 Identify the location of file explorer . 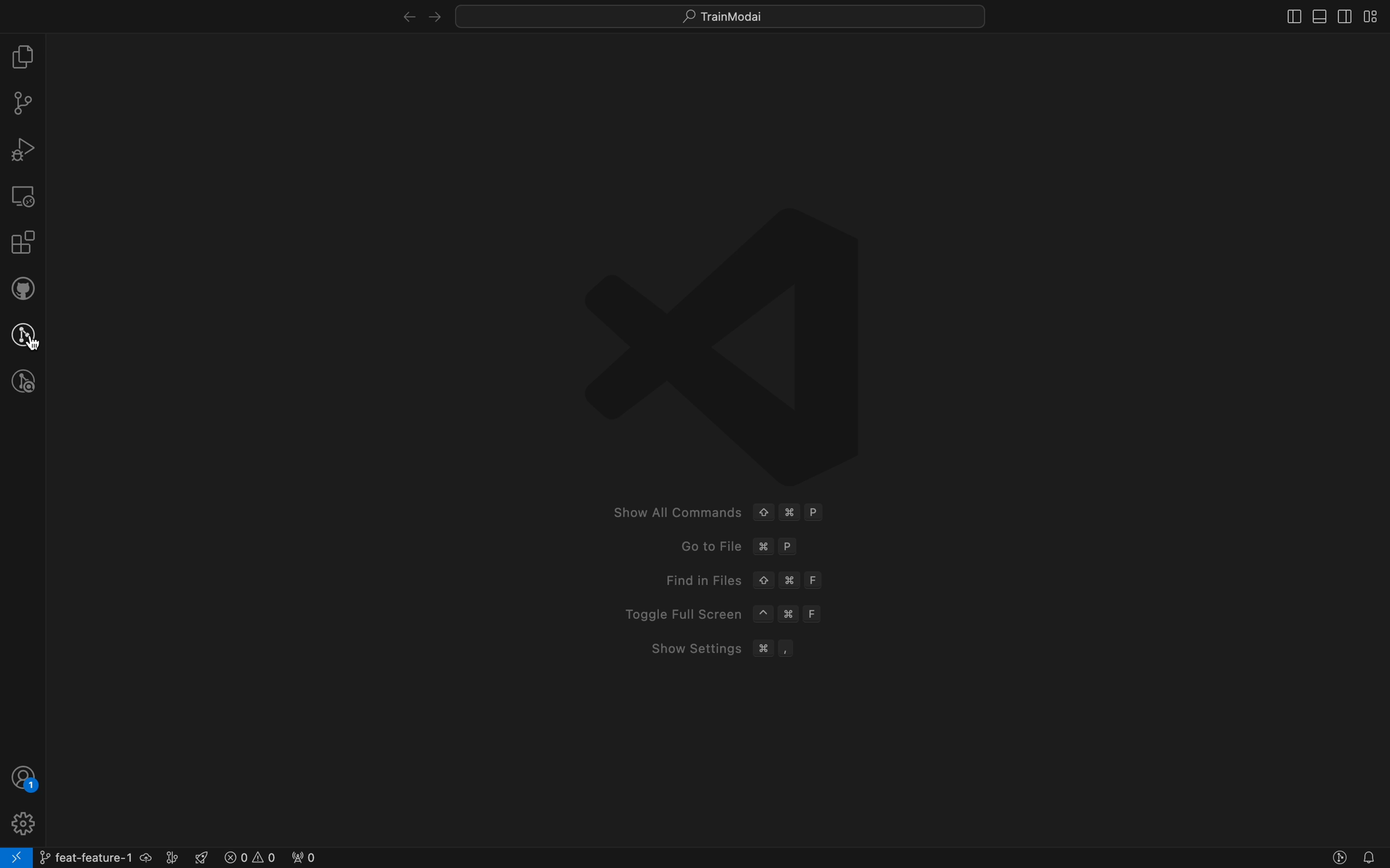
(21, 55).